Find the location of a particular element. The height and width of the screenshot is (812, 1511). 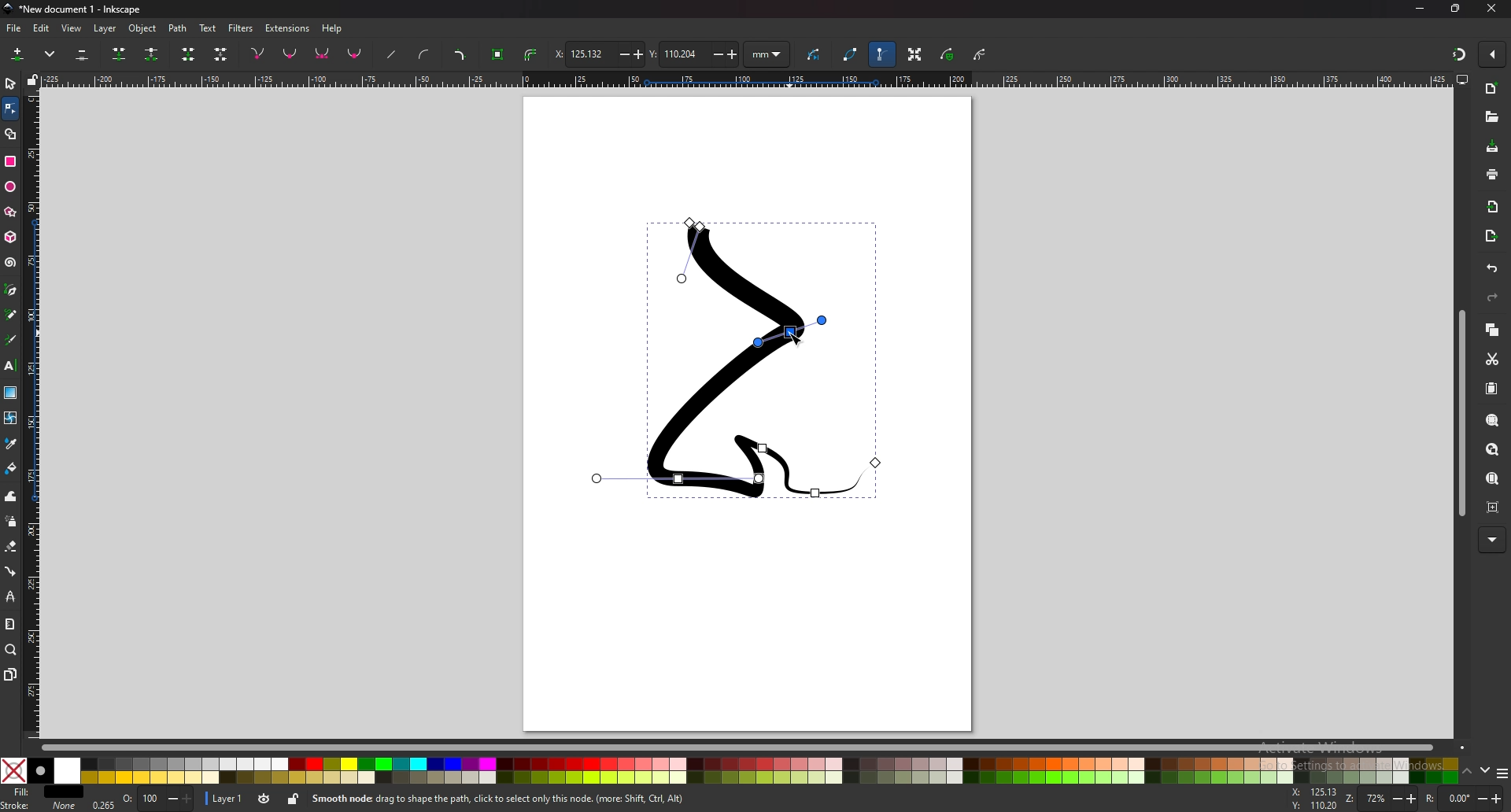

copy is located at coordinates (1492, 330).